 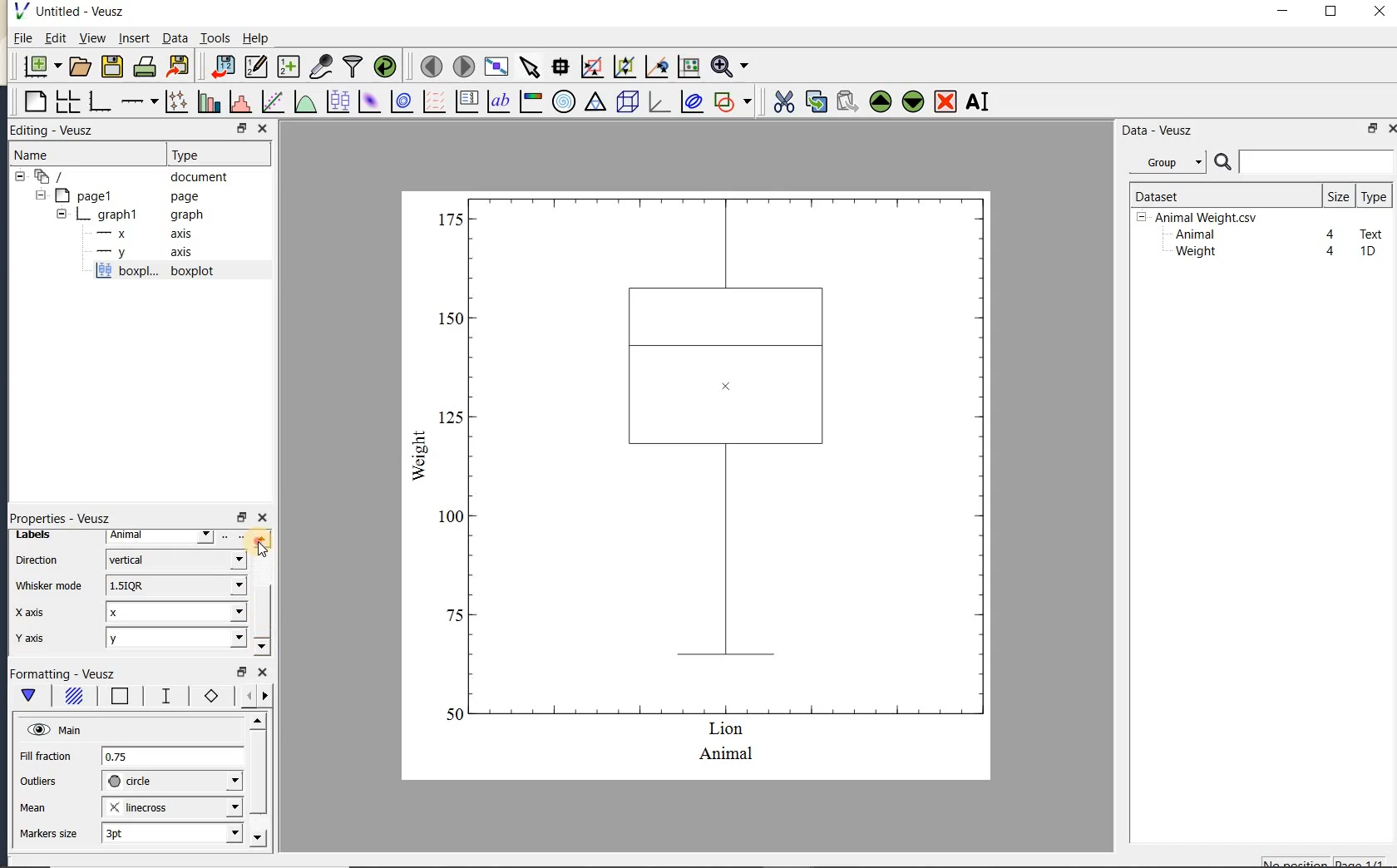 I want to click on circle, so click(x=172, y=782).